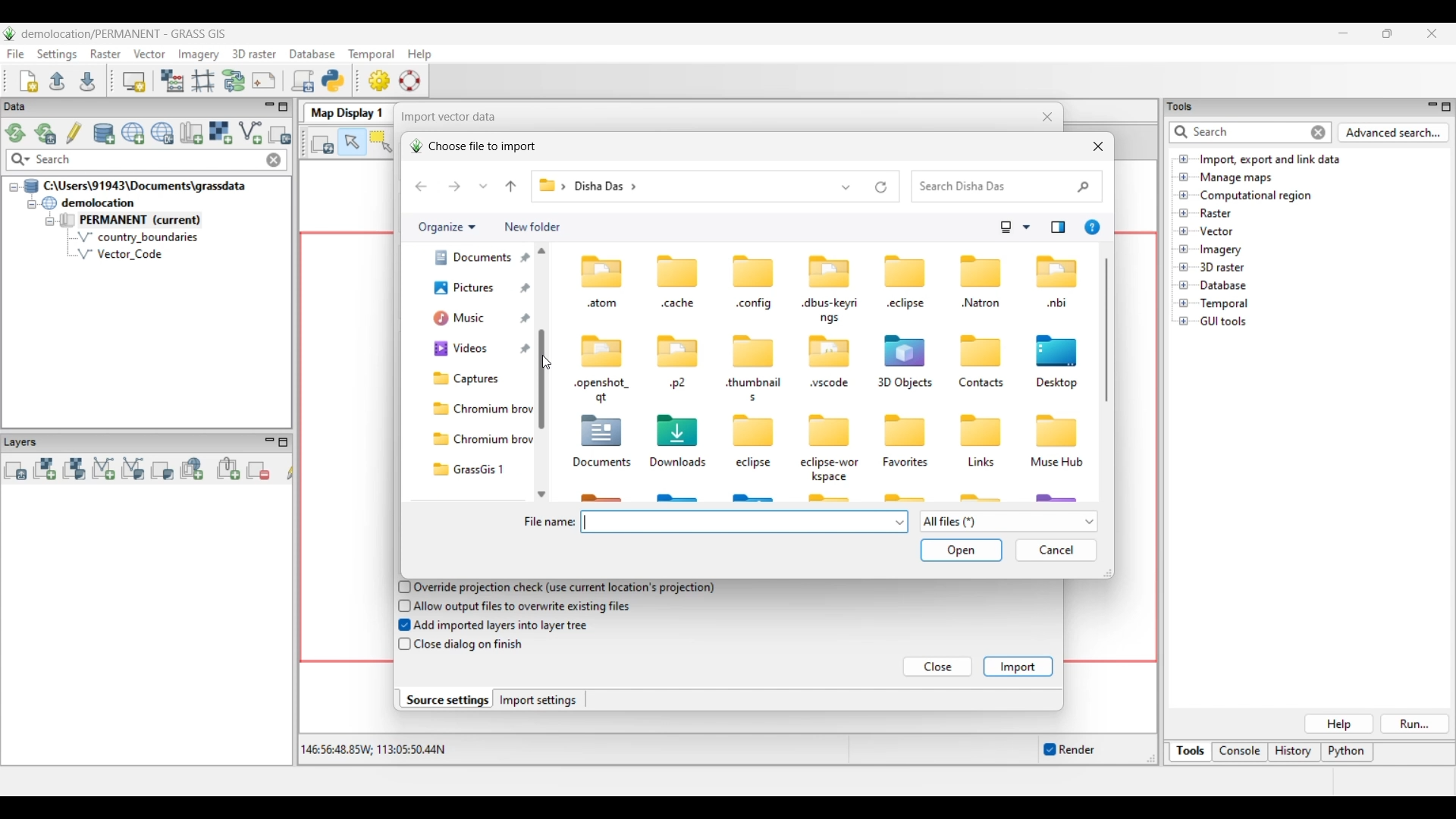 This screenshot has width=1456, height=819. I want to click on Contacts, so click(981, 384).